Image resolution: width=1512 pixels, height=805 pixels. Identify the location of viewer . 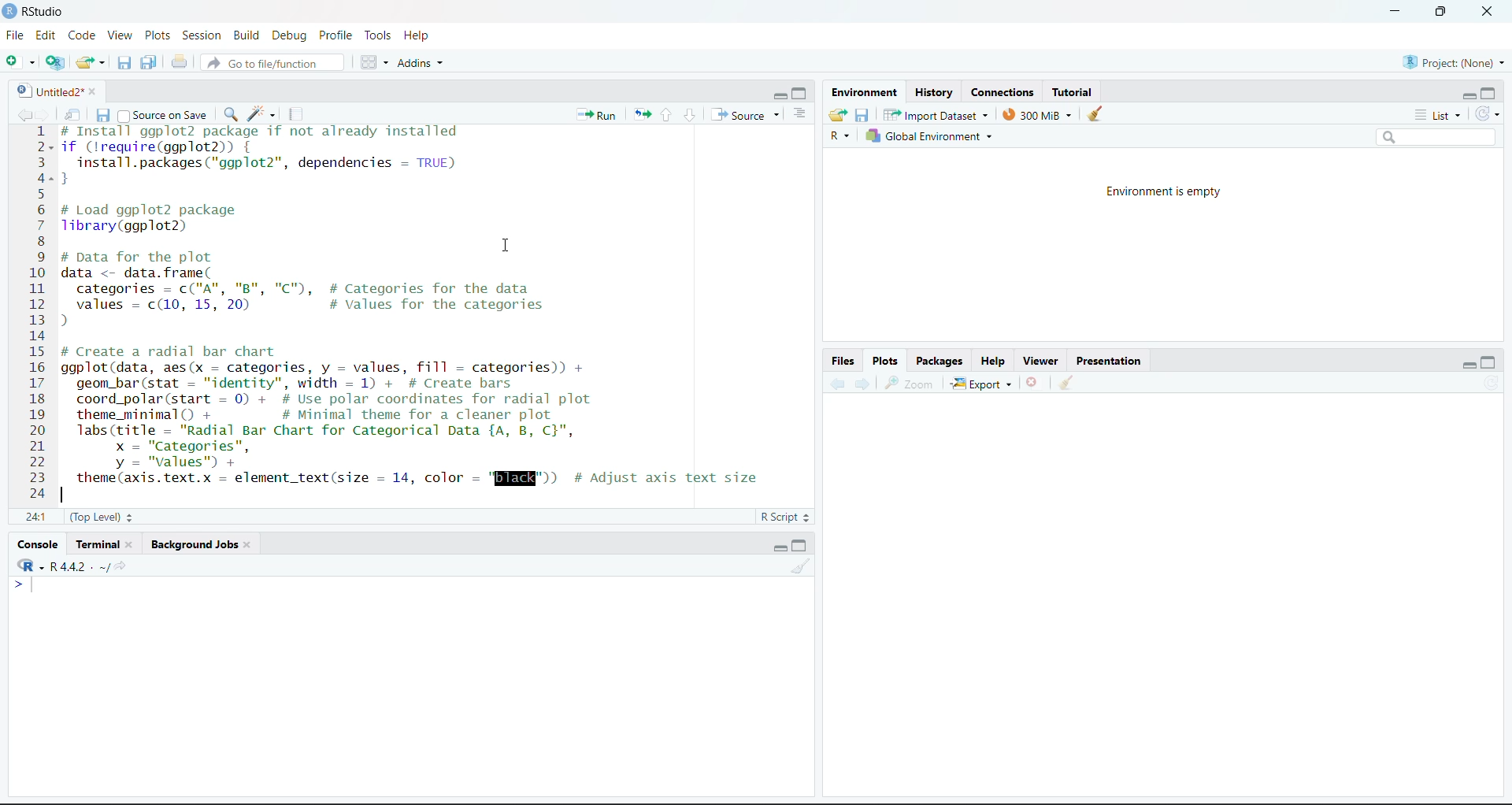
(1043, 359).